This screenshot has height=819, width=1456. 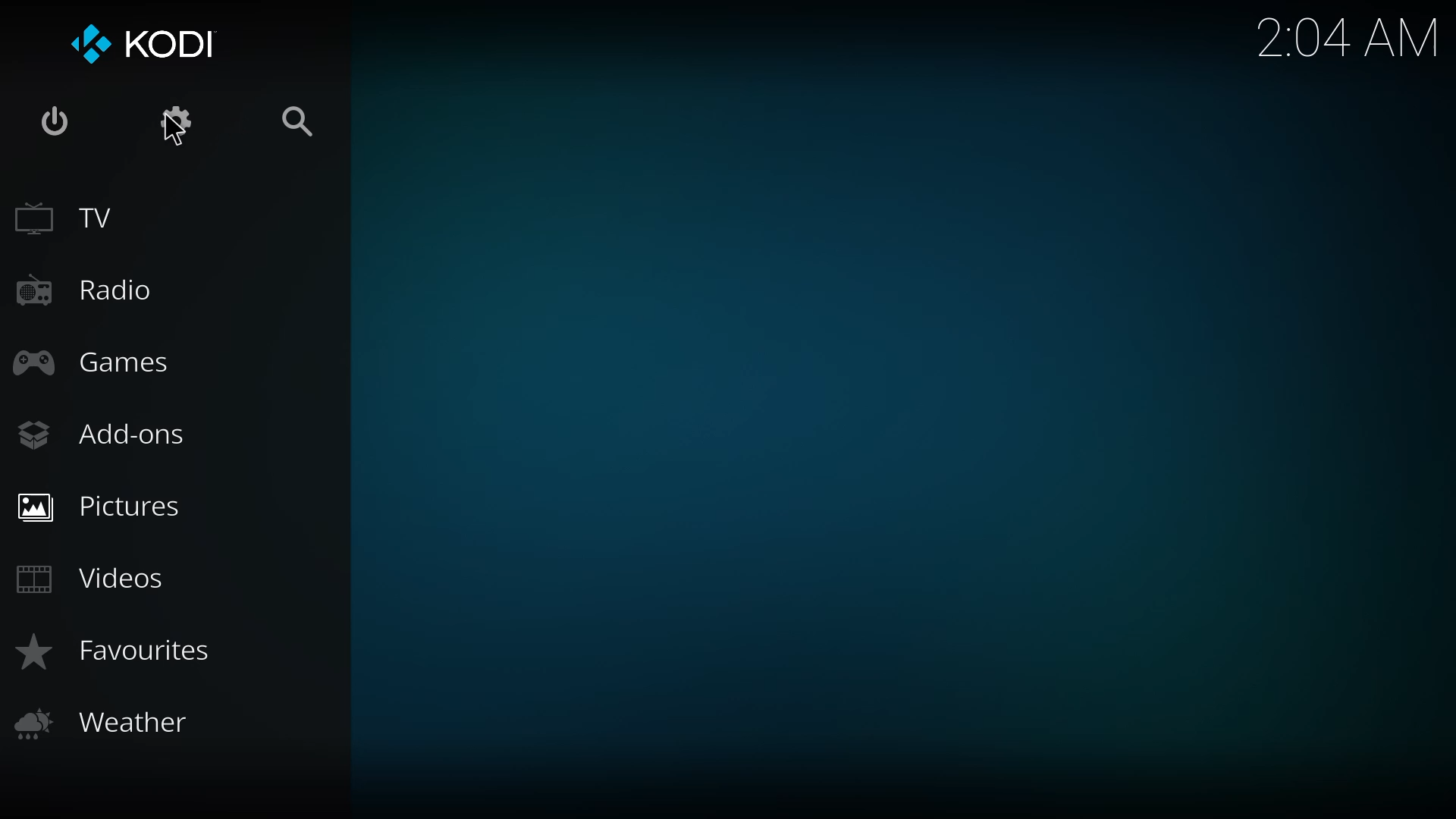 What do you see at coordinates (121, 654) in the screenshot?
I see `favorites` at bounding box center [121, 654].